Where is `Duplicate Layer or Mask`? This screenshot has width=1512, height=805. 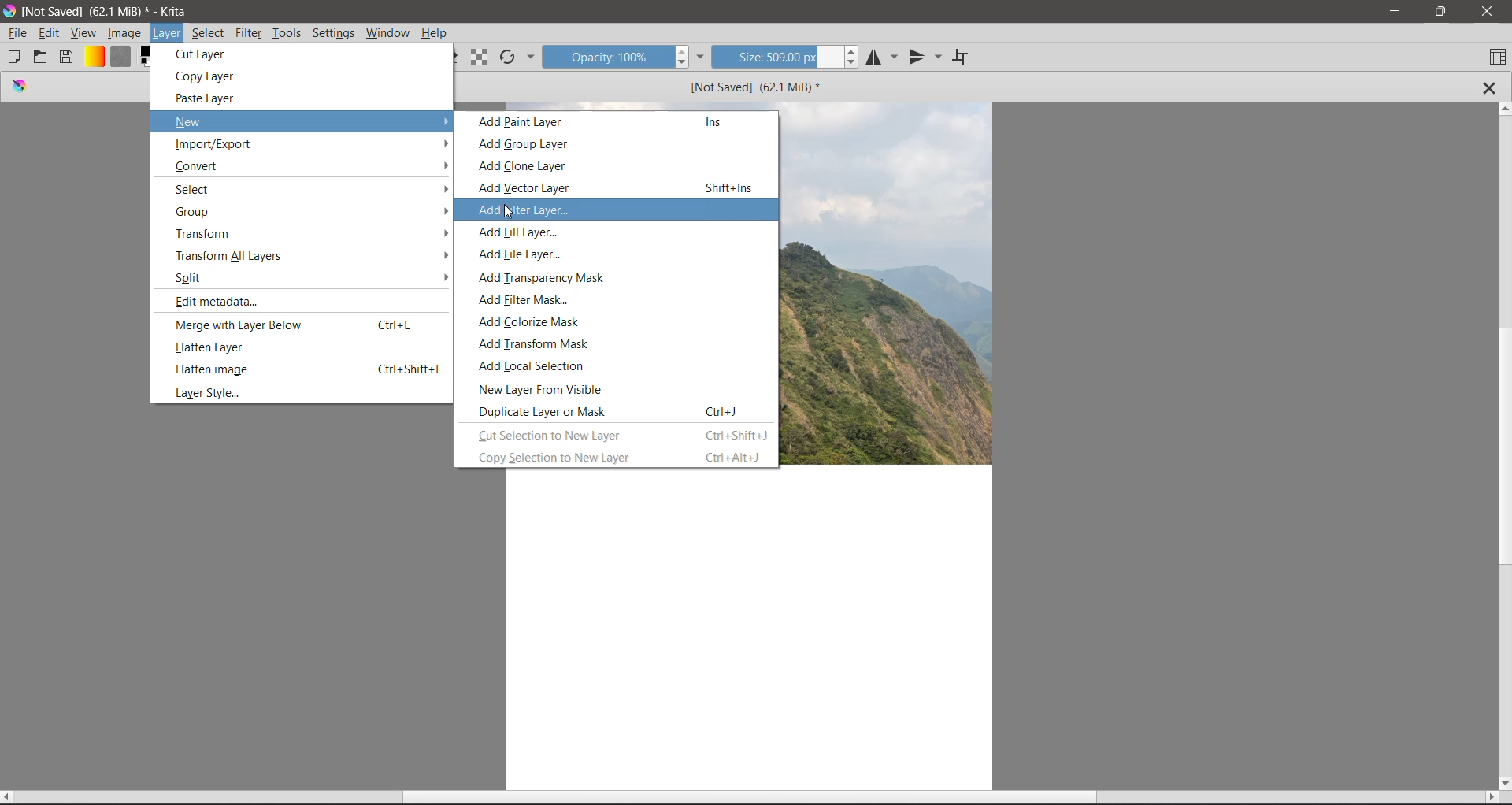
Duplicate Layer or Mask is located at coordinates (612, 411).